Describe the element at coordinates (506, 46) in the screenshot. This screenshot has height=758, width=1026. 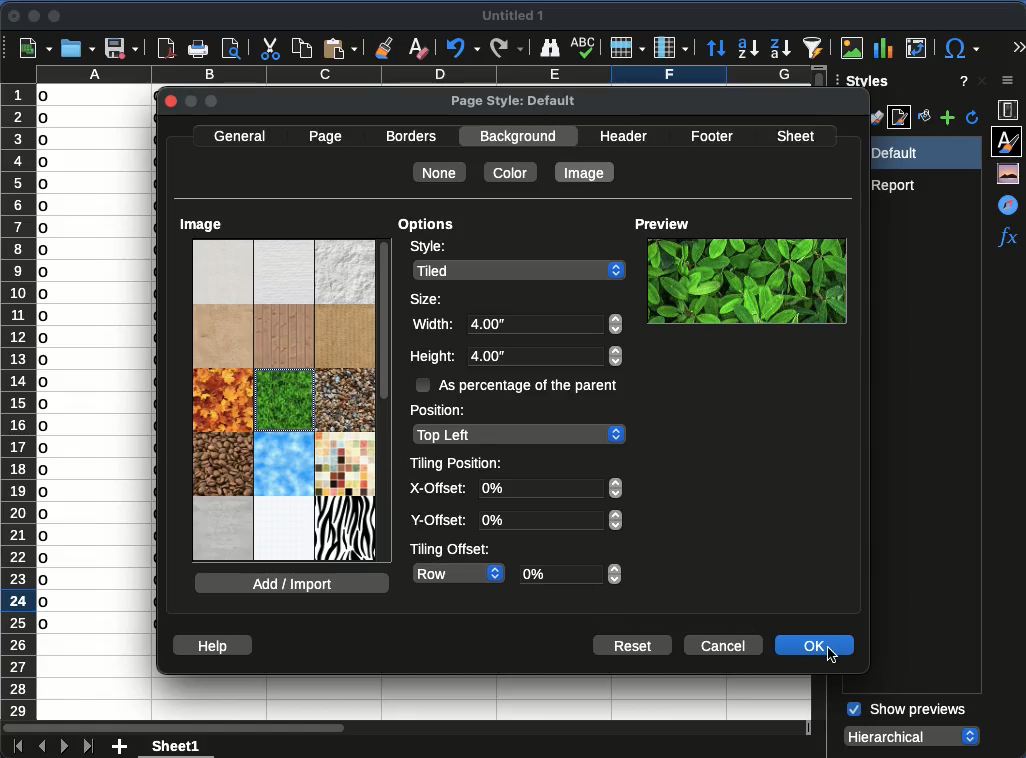
I see `redo` at that location.